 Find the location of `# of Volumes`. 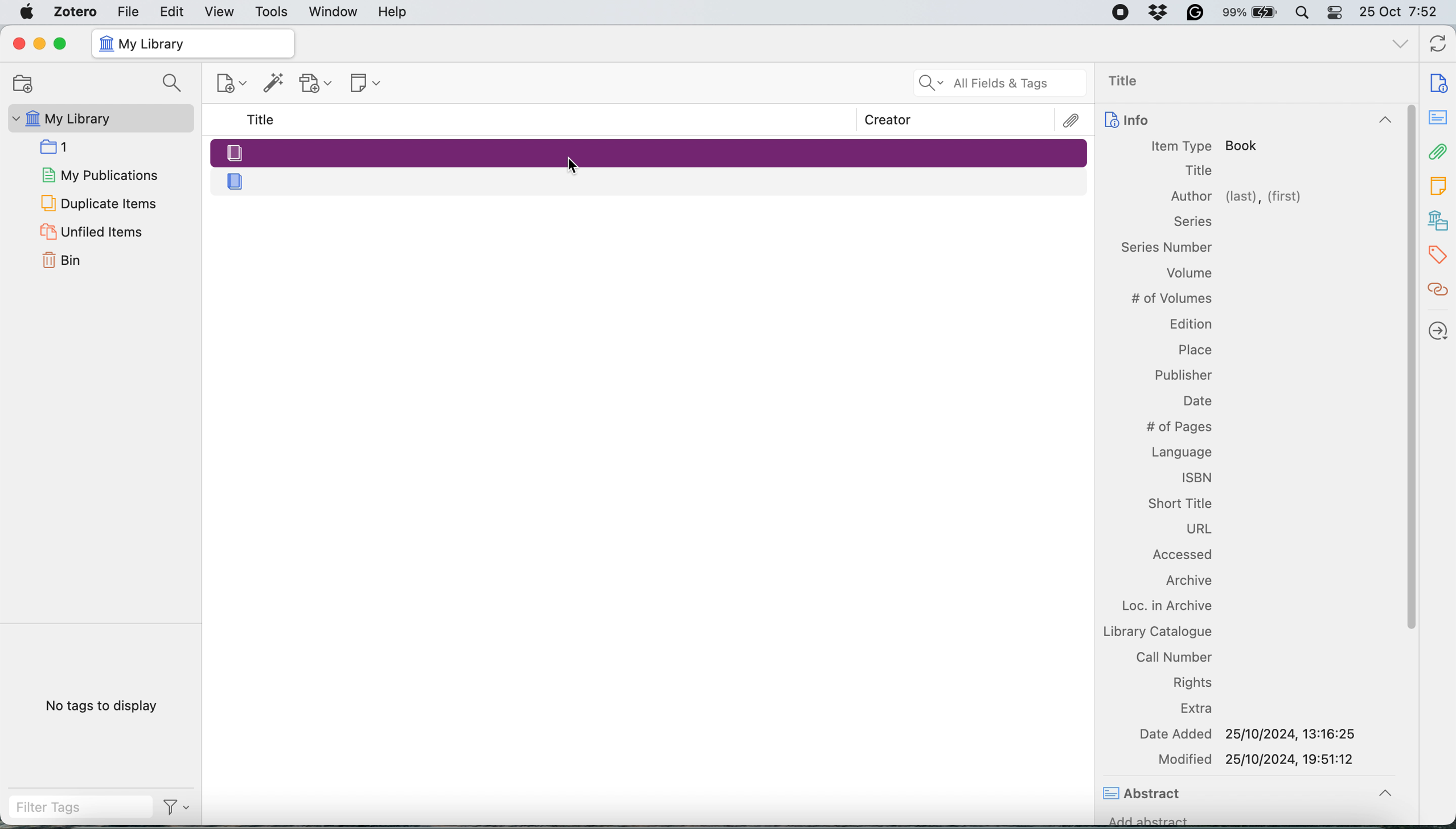

# of Volumes is located at coordinates (1171, 298).